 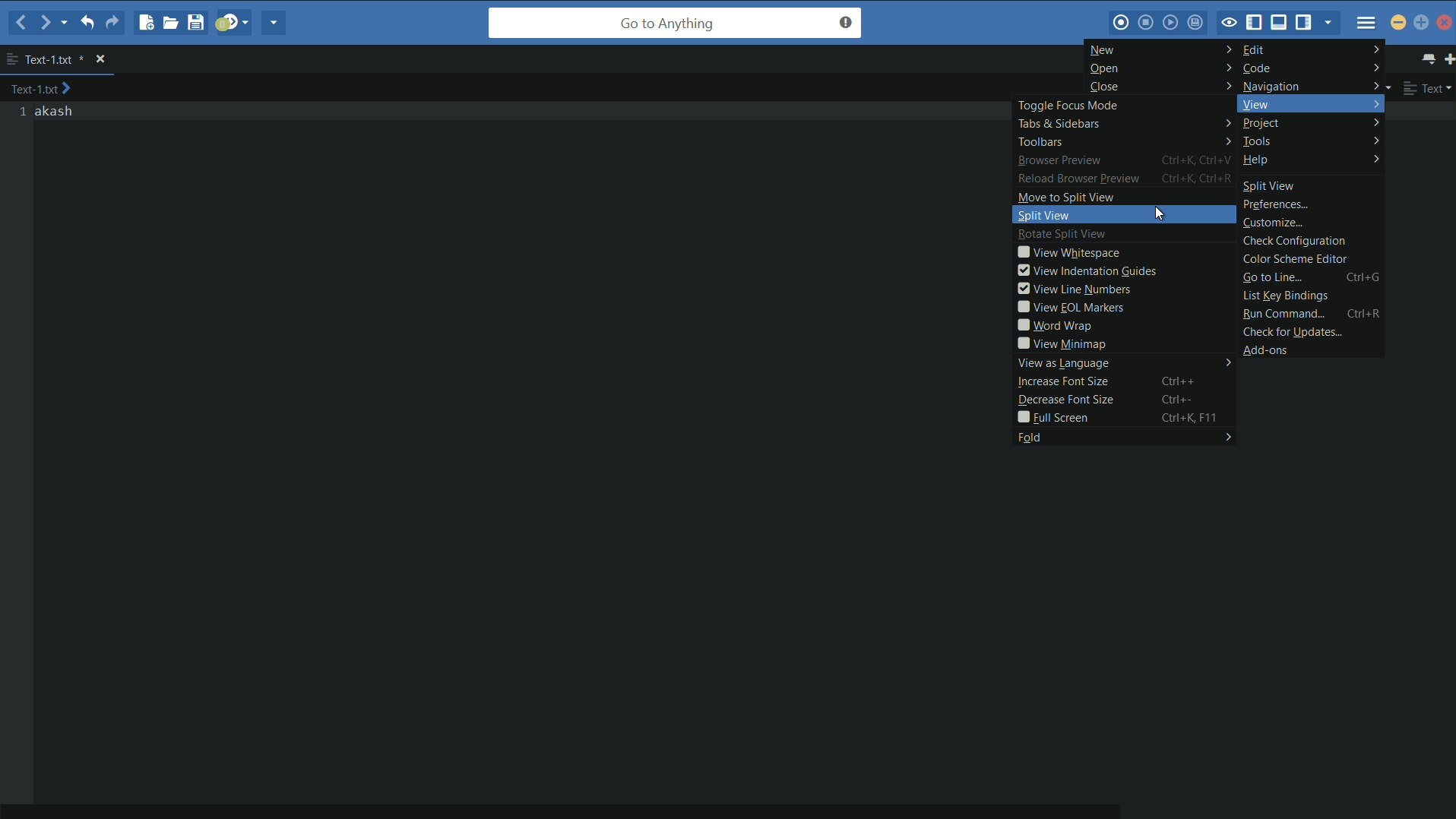 I want to click on view as language, so click(x=1125, y=363).